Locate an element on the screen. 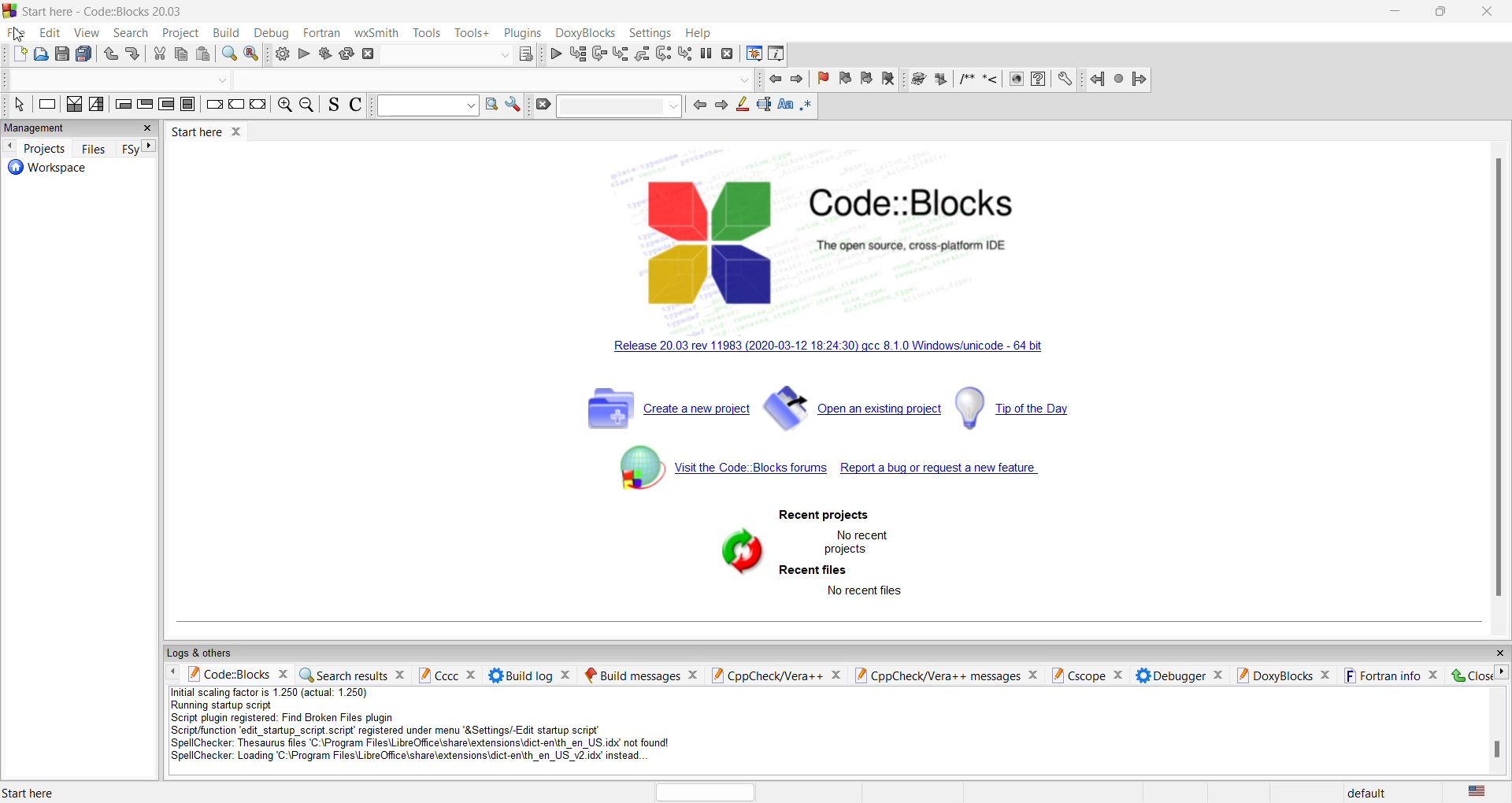 The height and width of the screenshot is (803, 1512). report bug is located at coordinates (955, 473).